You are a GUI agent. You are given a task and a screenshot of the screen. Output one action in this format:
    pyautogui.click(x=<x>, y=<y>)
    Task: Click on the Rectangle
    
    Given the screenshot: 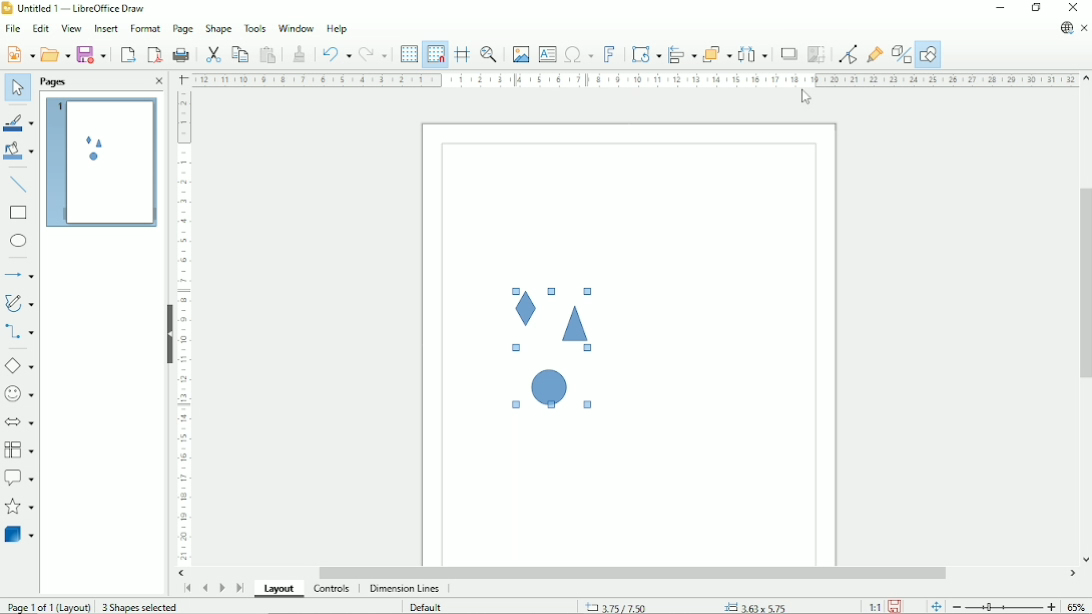 What is the action you would take?
    pyautogui.click(x=19, y=213)
    